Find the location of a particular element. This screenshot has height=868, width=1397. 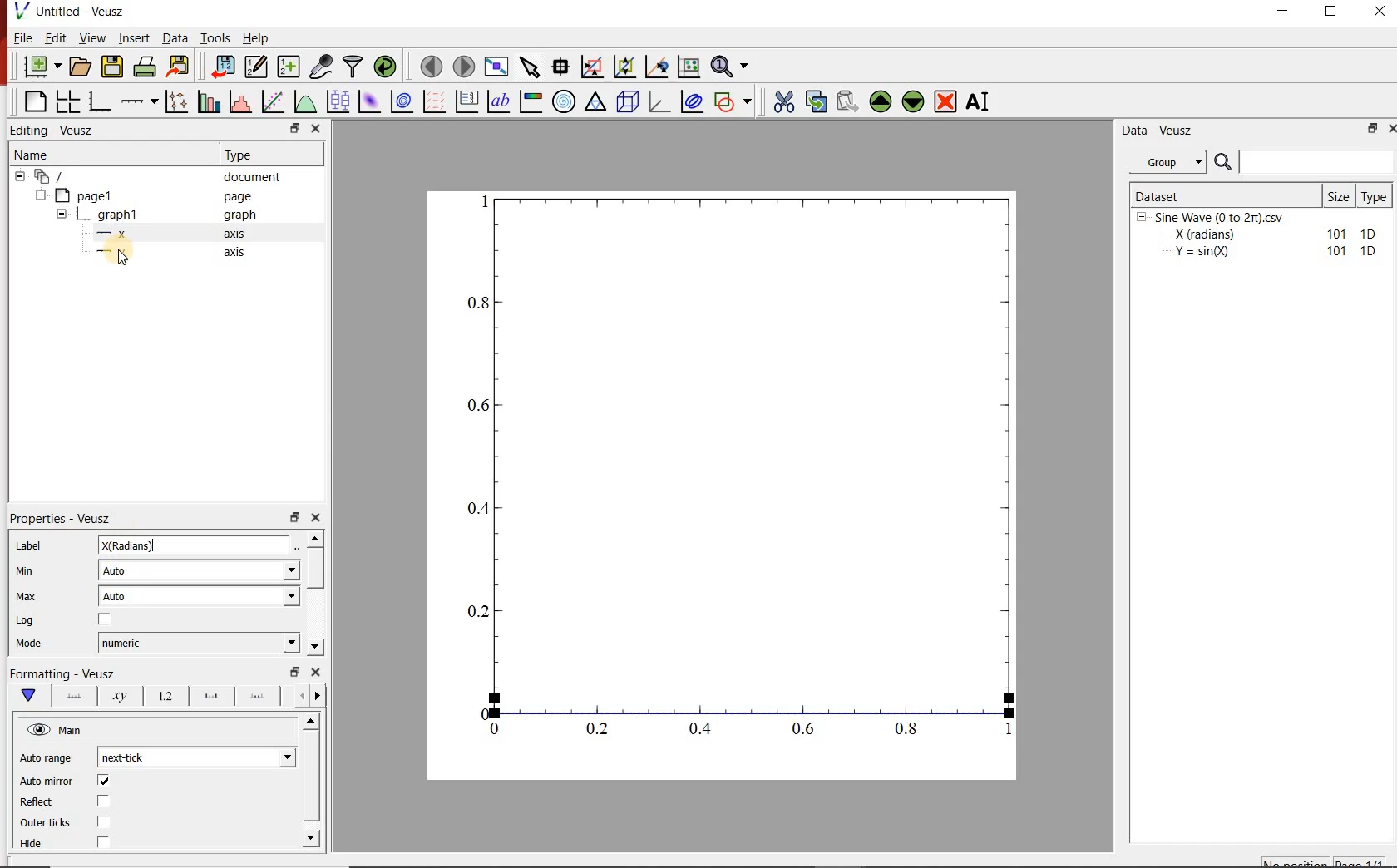

capture remote data is located at coordinates (323, 67).